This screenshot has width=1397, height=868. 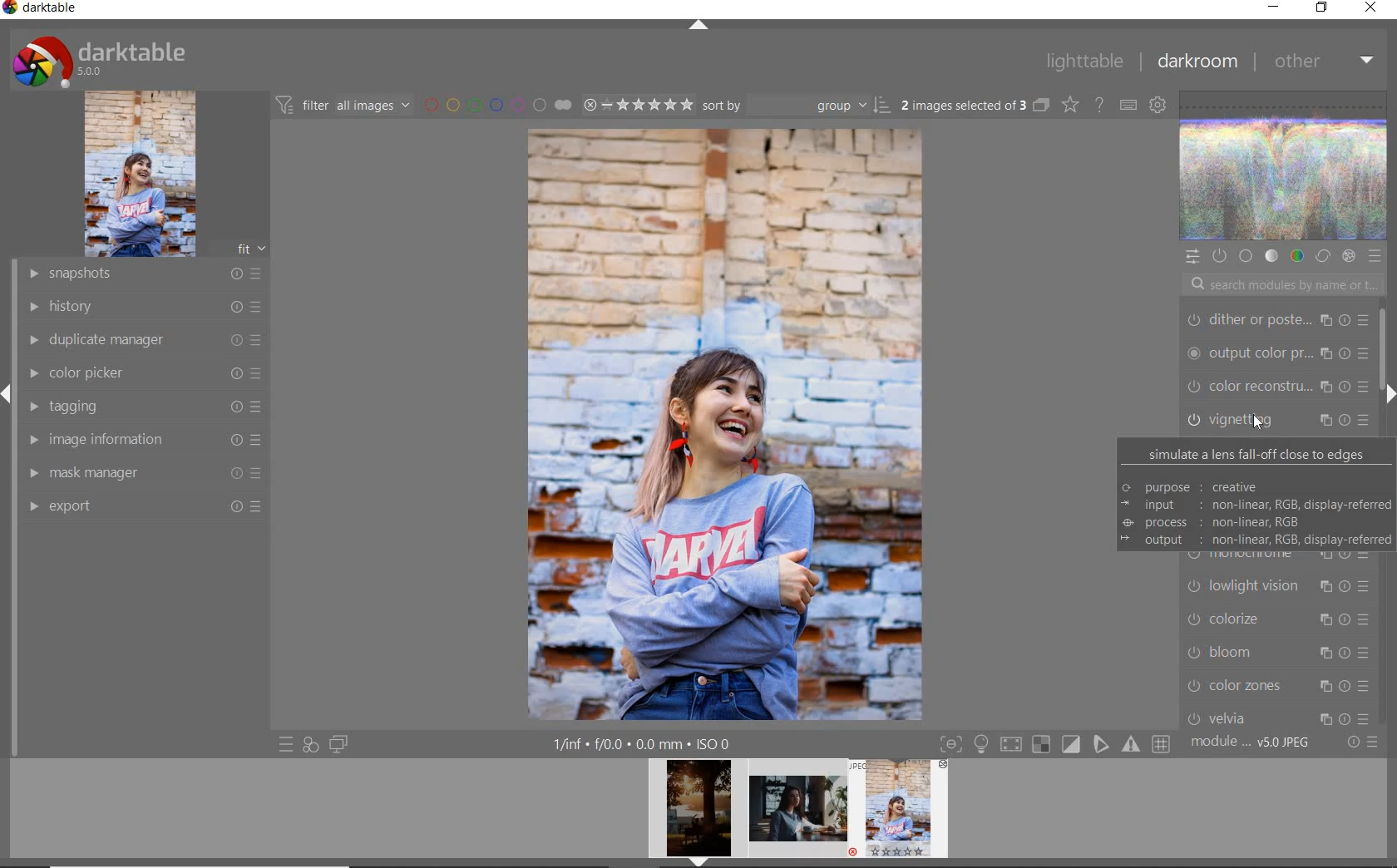 I want to click on COLLAPSE GROUPED  IMAGES, so click(x=1041, y=104).